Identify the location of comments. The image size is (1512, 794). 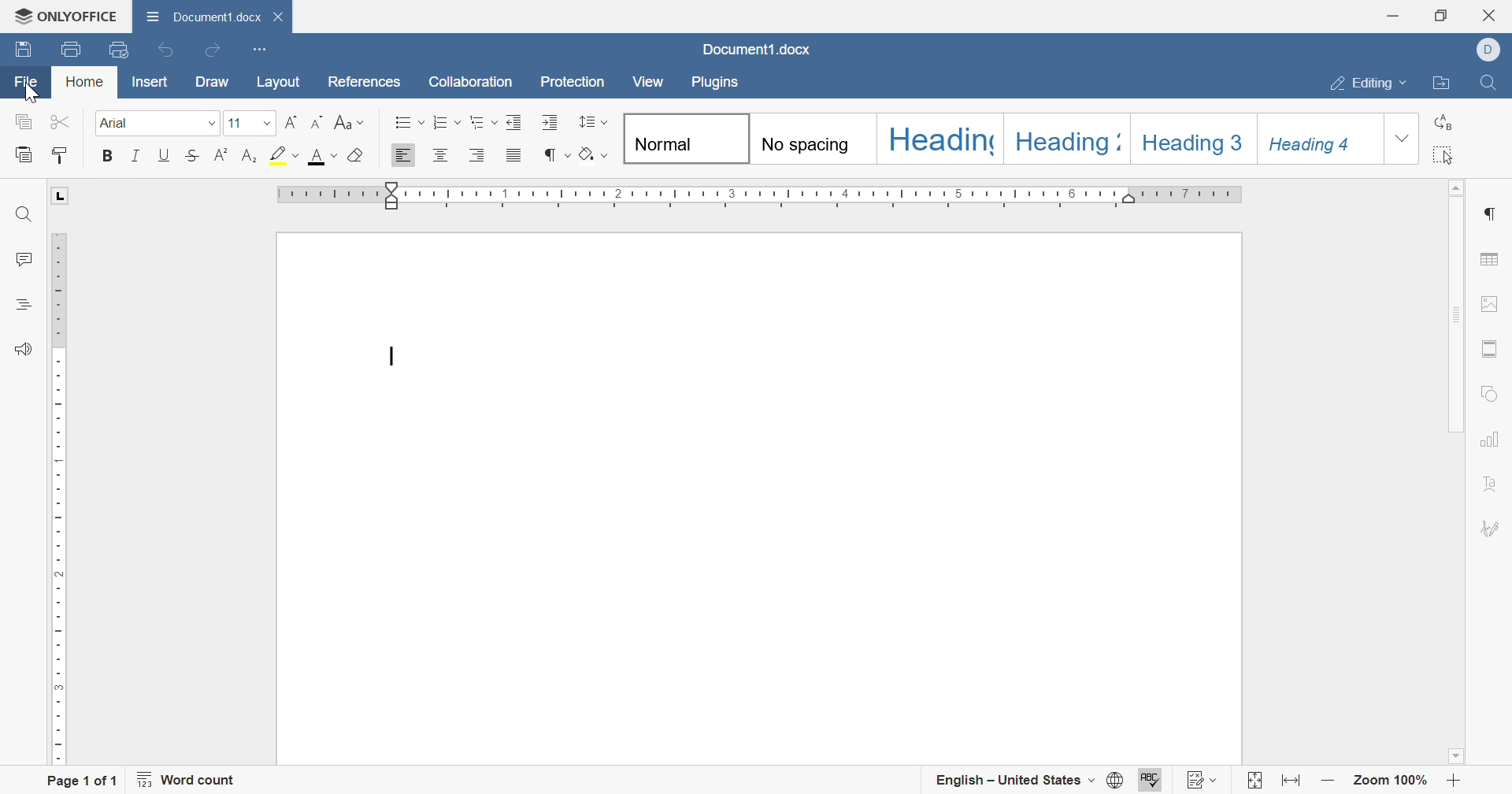
(23, 257).